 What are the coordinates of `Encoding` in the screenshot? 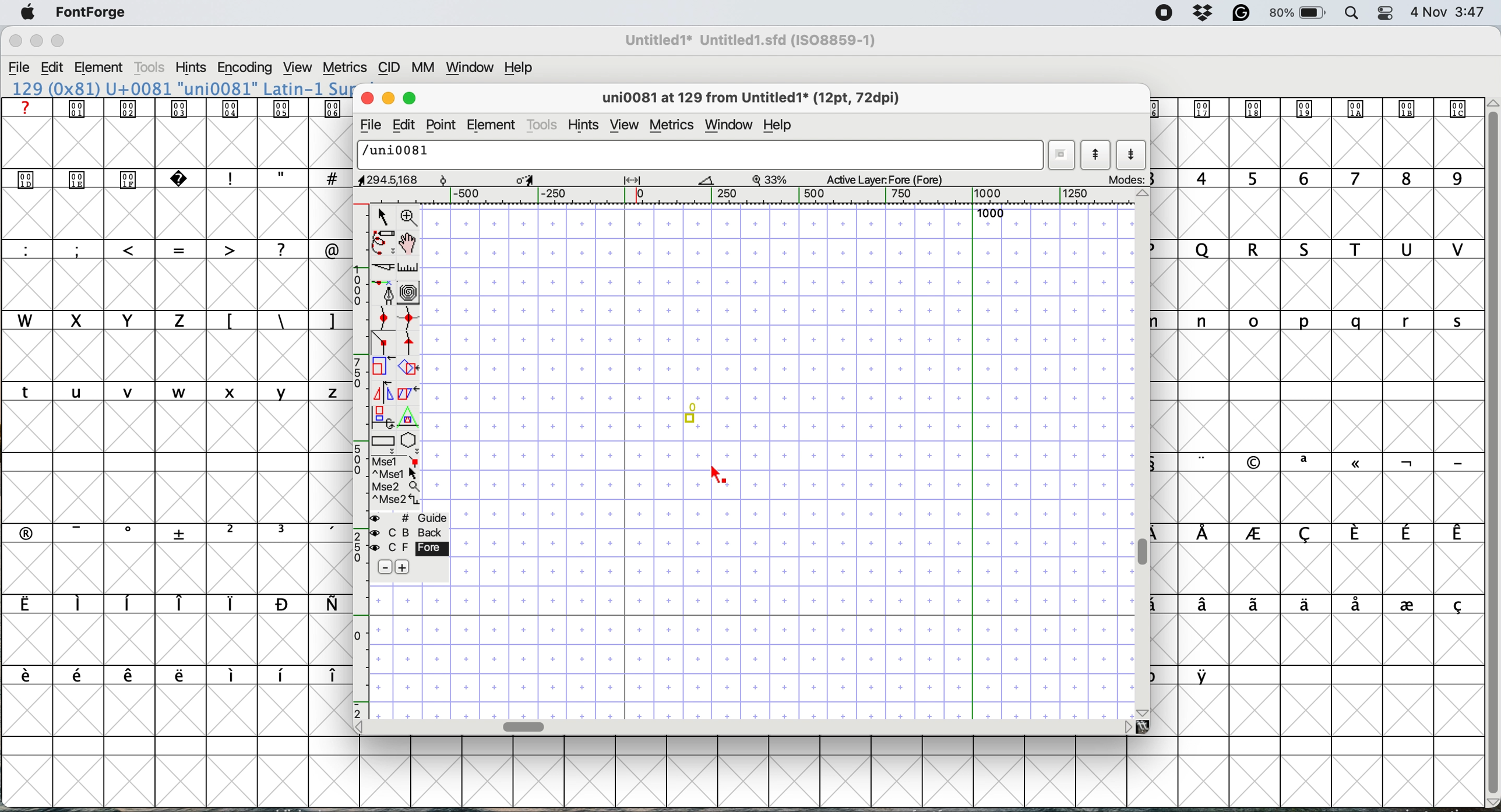 It's located at (247, 68).